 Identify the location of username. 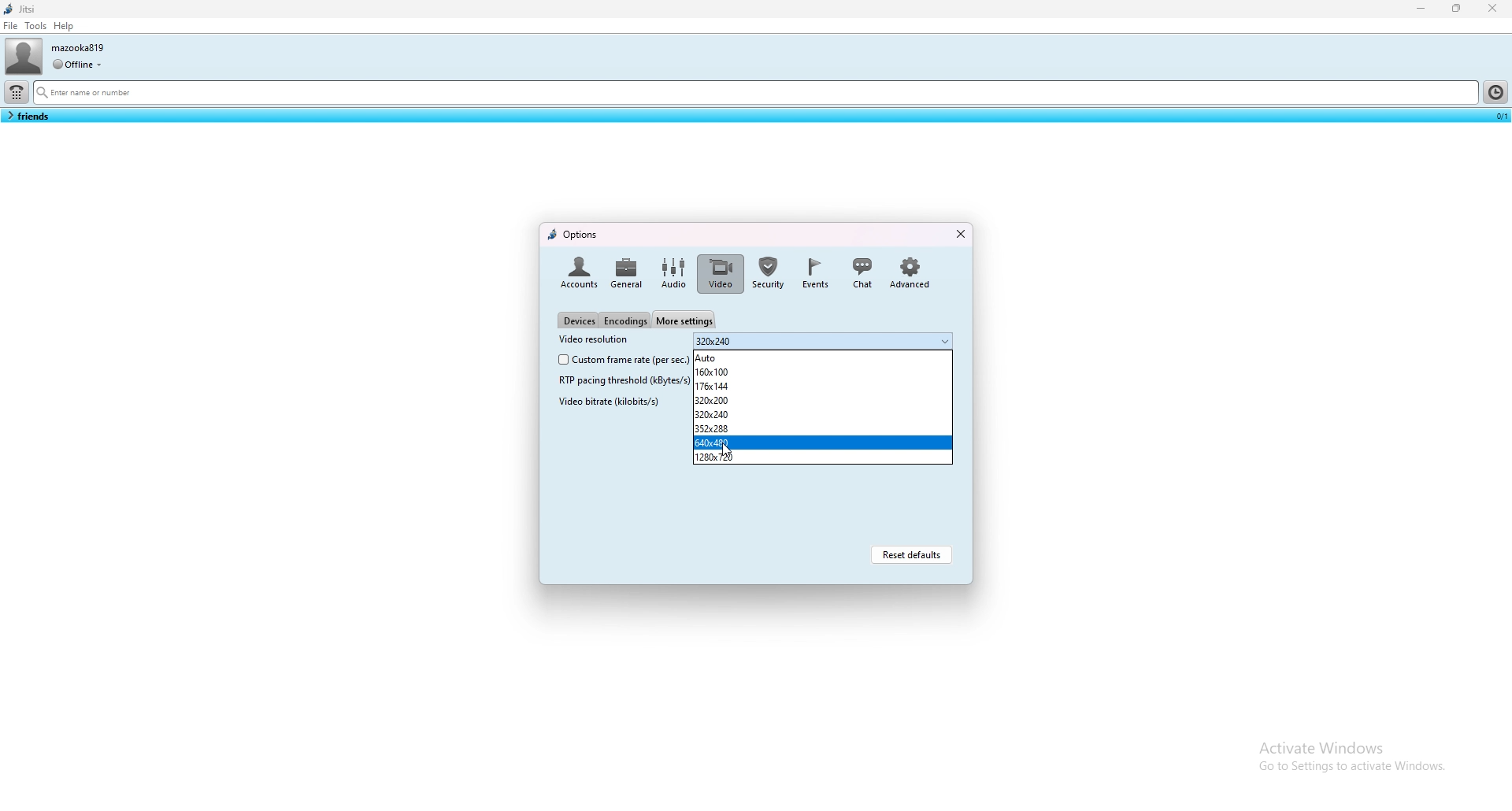
(80, 47).